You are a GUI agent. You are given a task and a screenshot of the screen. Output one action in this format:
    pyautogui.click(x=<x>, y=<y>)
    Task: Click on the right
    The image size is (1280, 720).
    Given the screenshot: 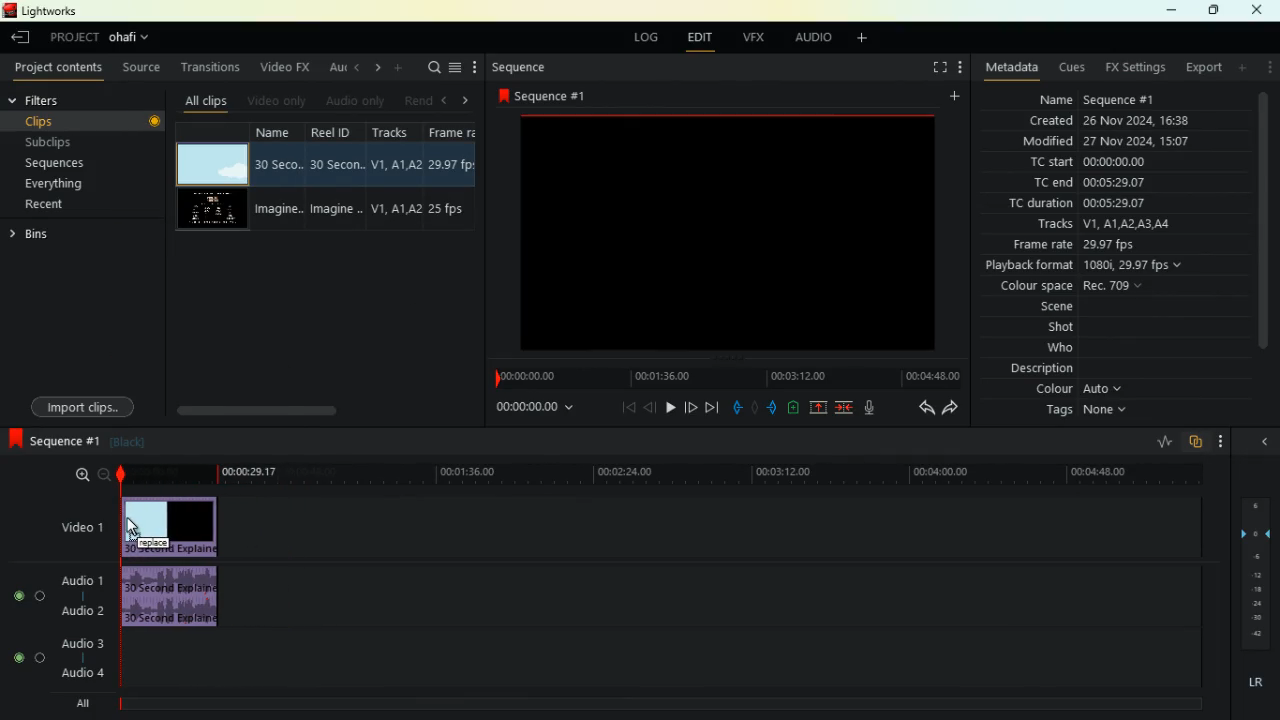 What is the action you would take?
    pyautogui.click(x=379, y=70)
    